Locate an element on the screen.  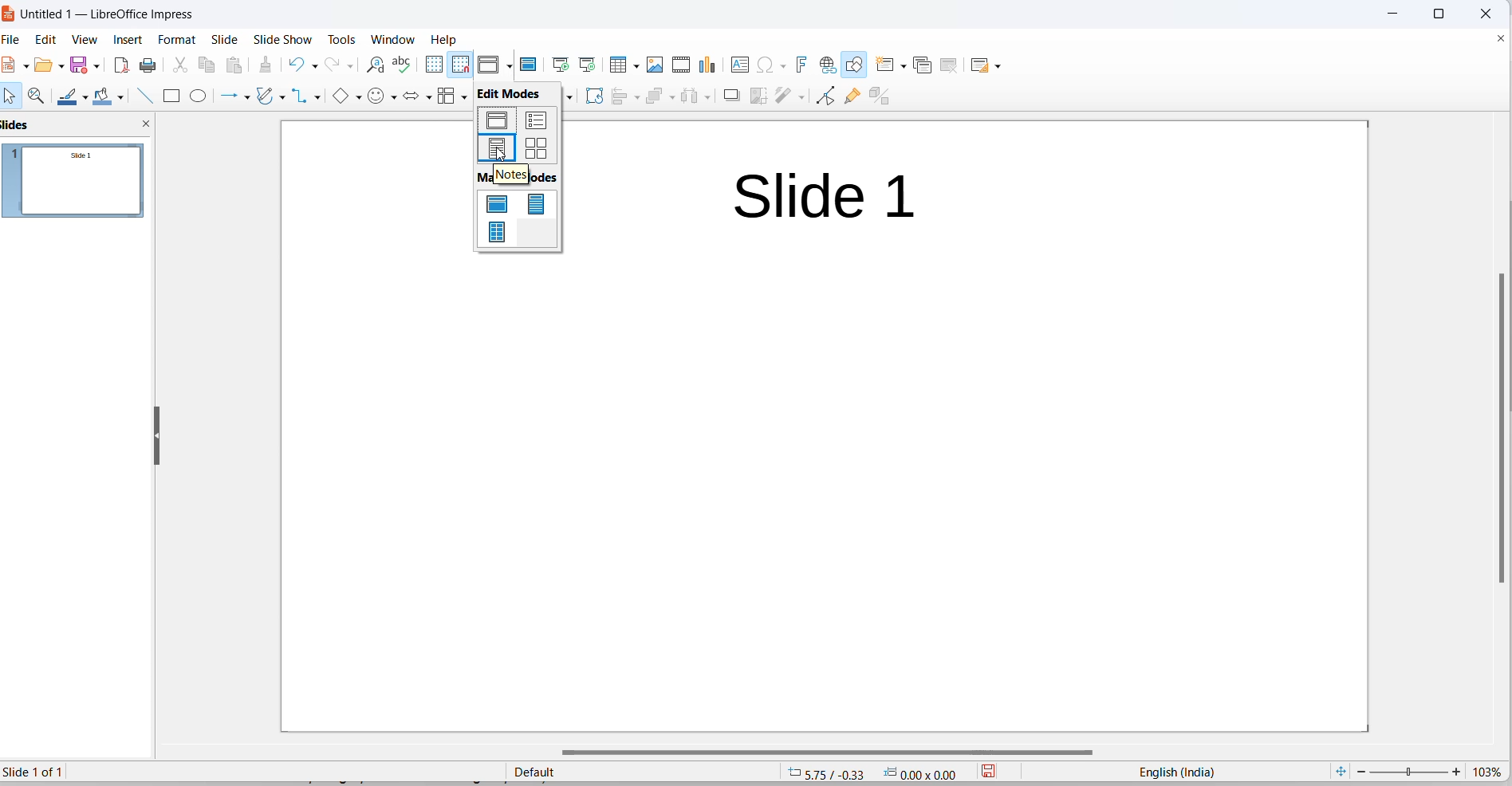
display grid is located at coordinates (435, 64).